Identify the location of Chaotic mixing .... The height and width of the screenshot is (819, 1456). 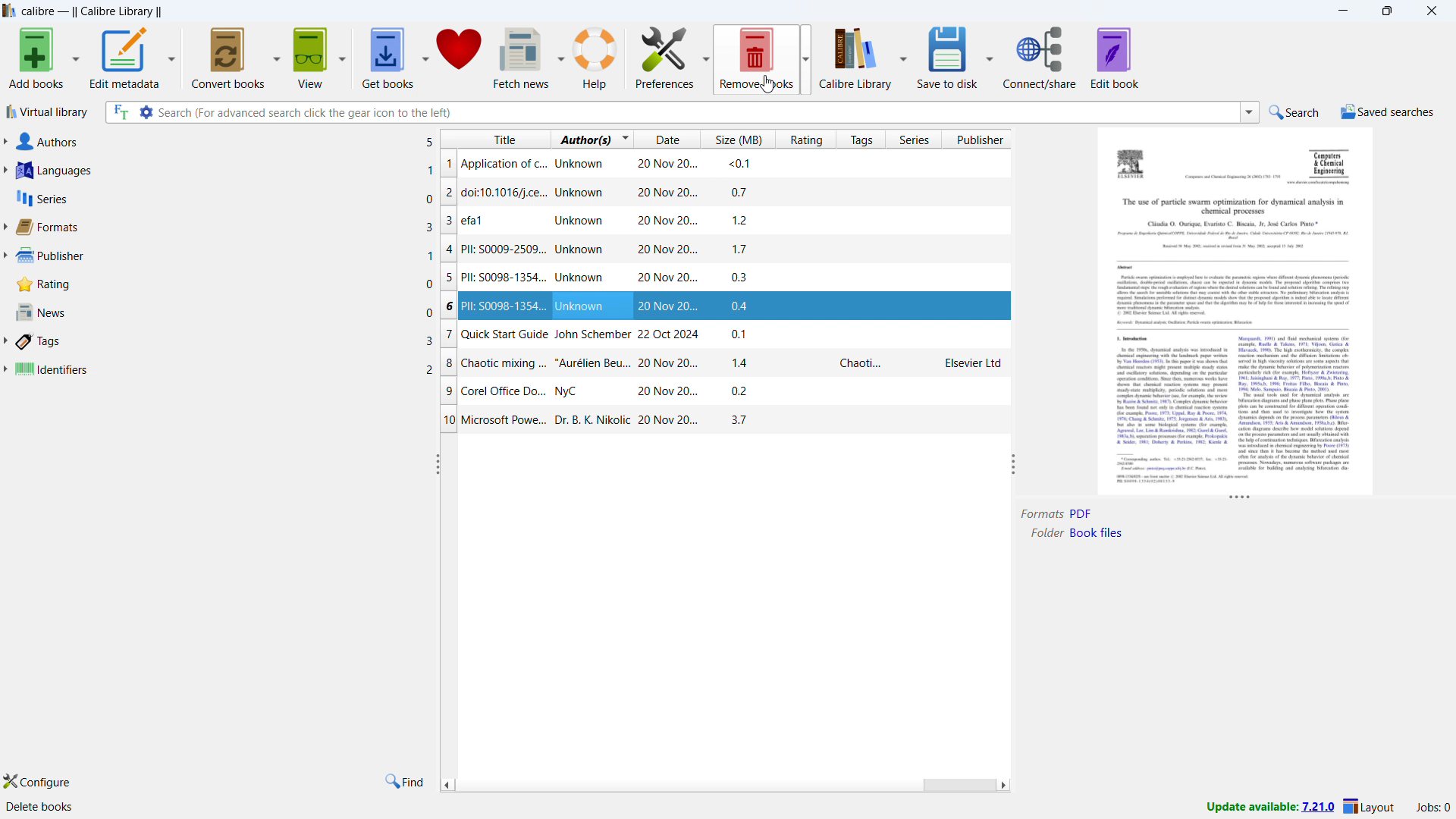
(730, 362).